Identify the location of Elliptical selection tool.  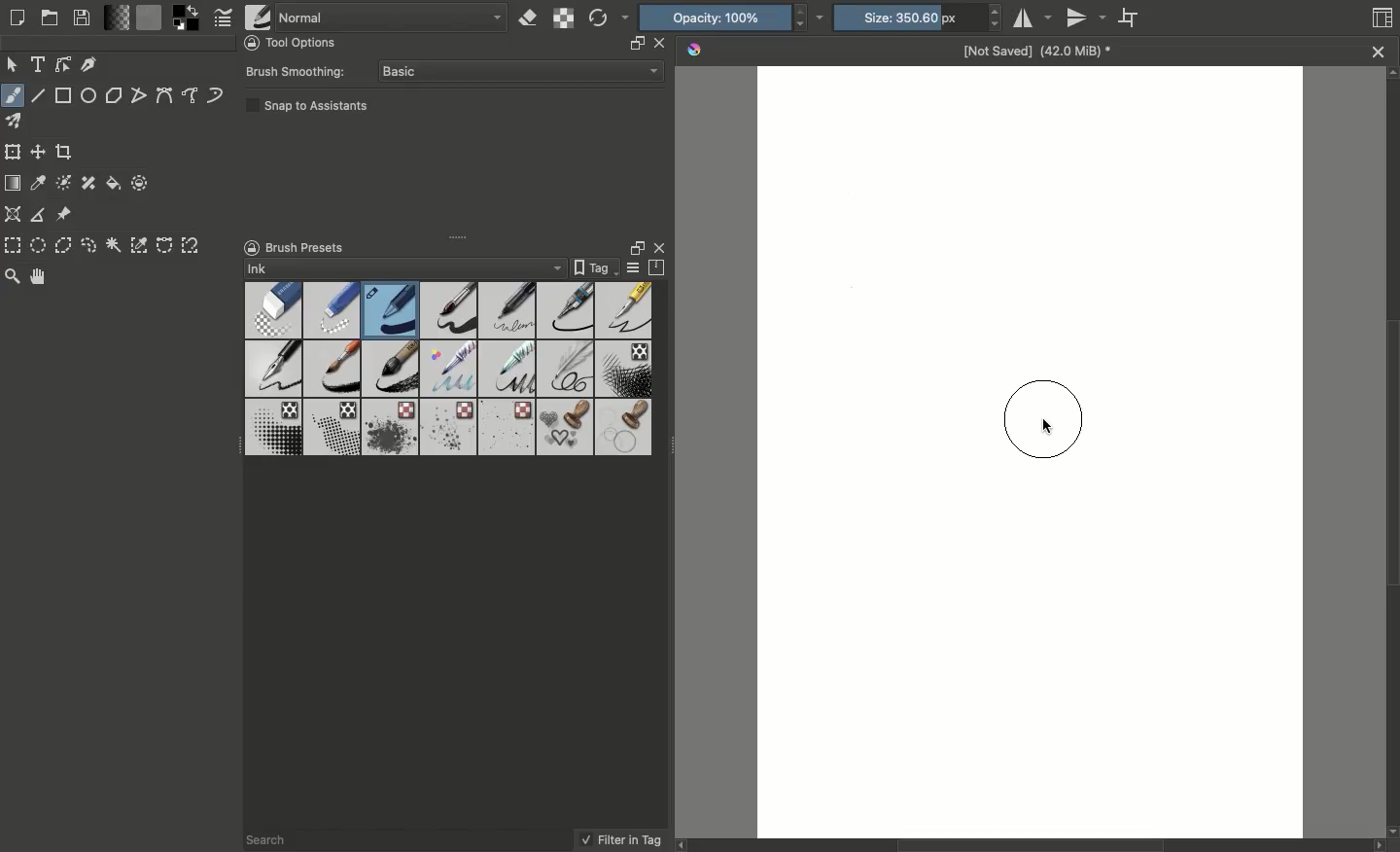
(38, 245).